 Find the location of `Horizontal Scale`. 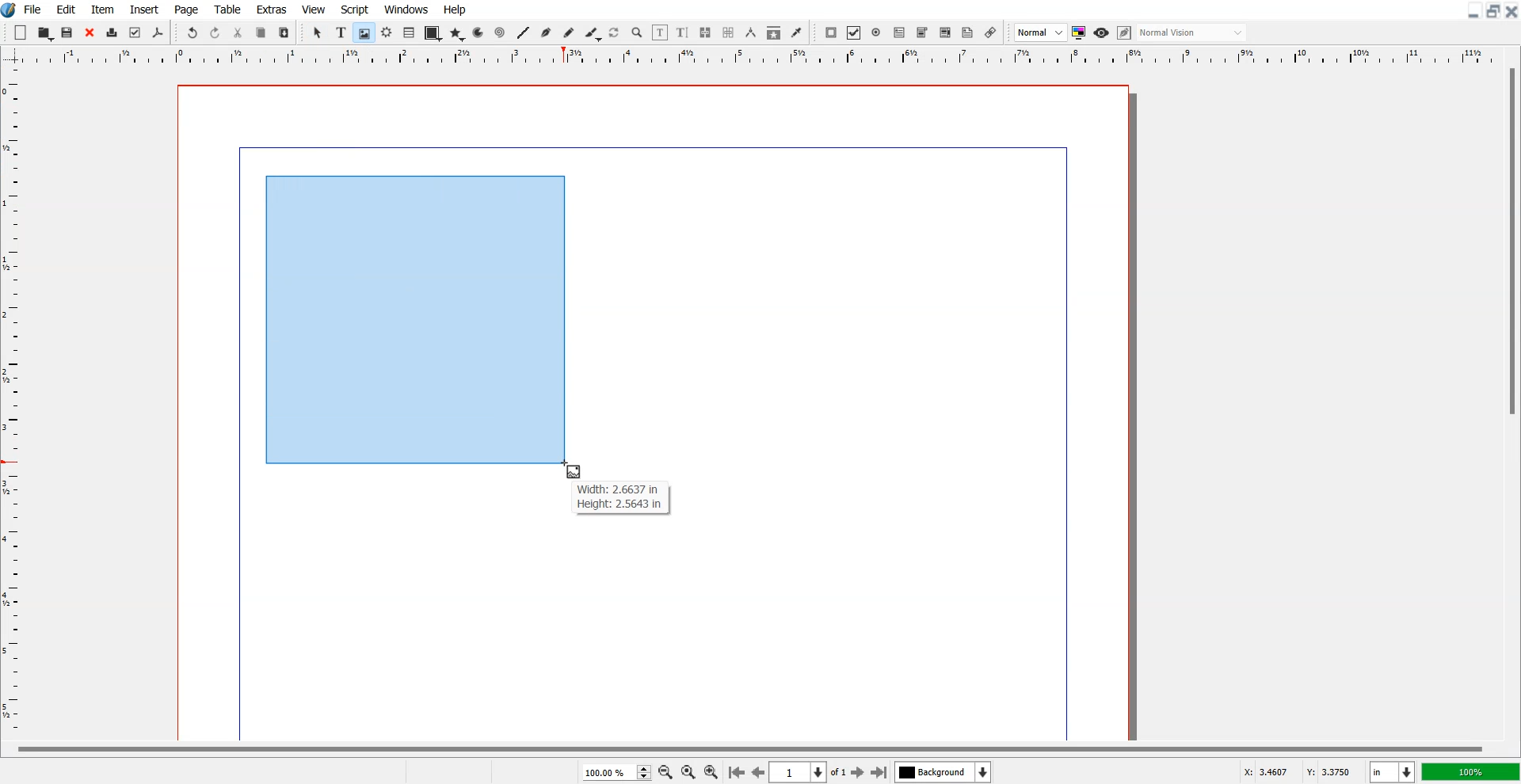

Horizontal Scale is located at coordinates (15, 403).